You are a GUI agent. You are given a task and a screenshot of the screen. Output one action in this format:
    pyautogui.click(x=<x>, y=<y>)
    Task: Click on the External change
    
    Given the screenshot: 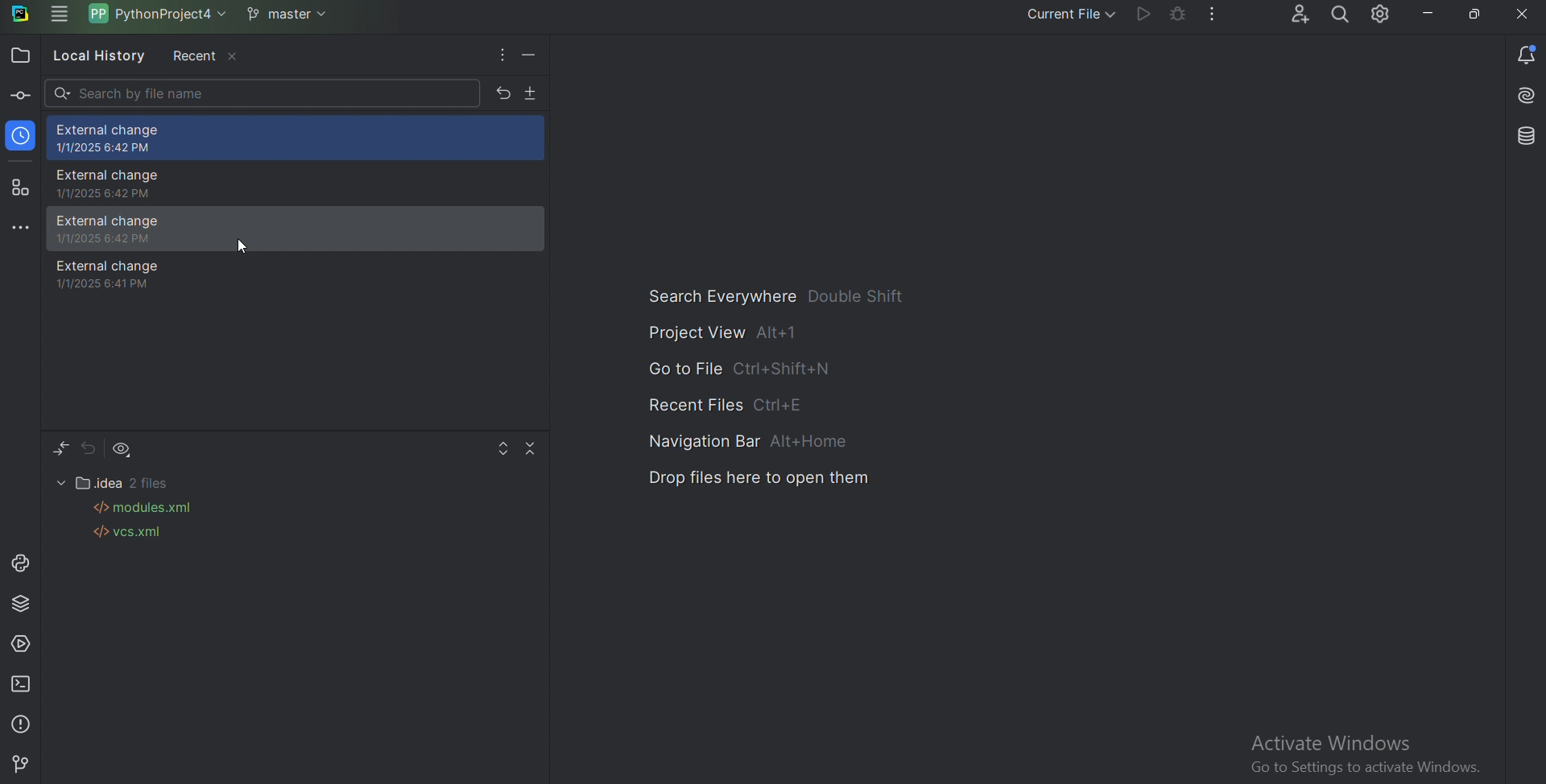 What is the action you would take?
    pyautogui.click(x=296, y=275)
    